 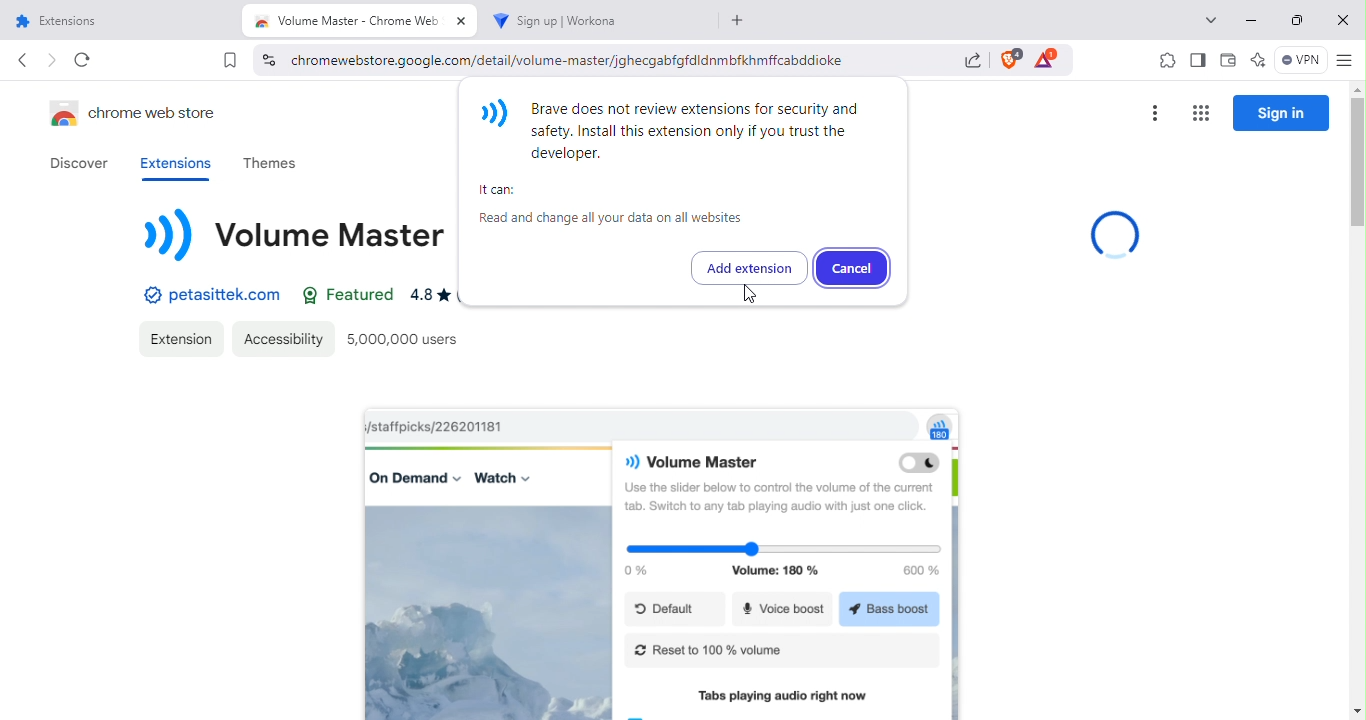 I want to click on minimze, so click(x=1255, y=19).